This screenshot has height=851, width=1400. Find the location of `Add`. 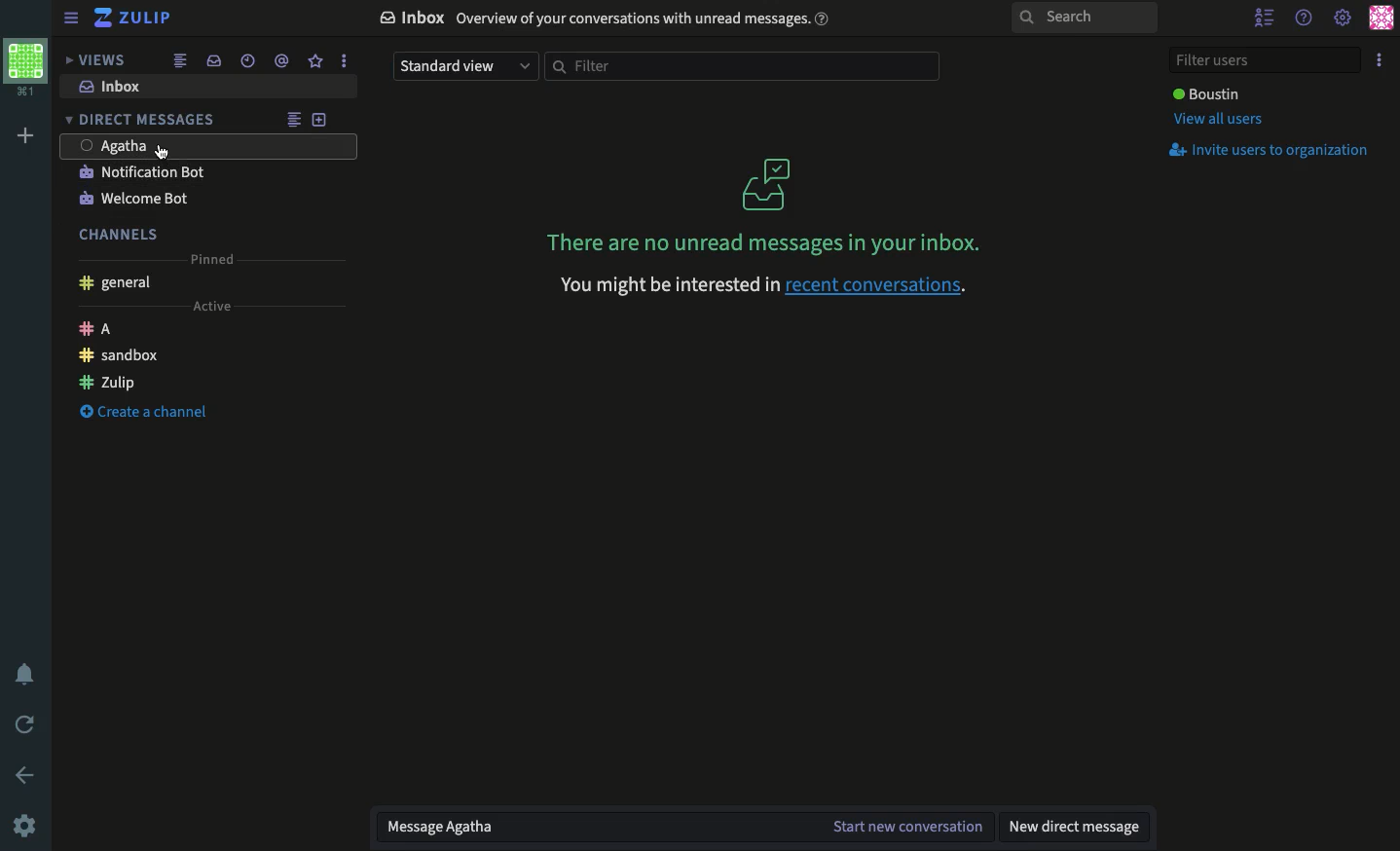

Add is located at coordinates (29, 135).